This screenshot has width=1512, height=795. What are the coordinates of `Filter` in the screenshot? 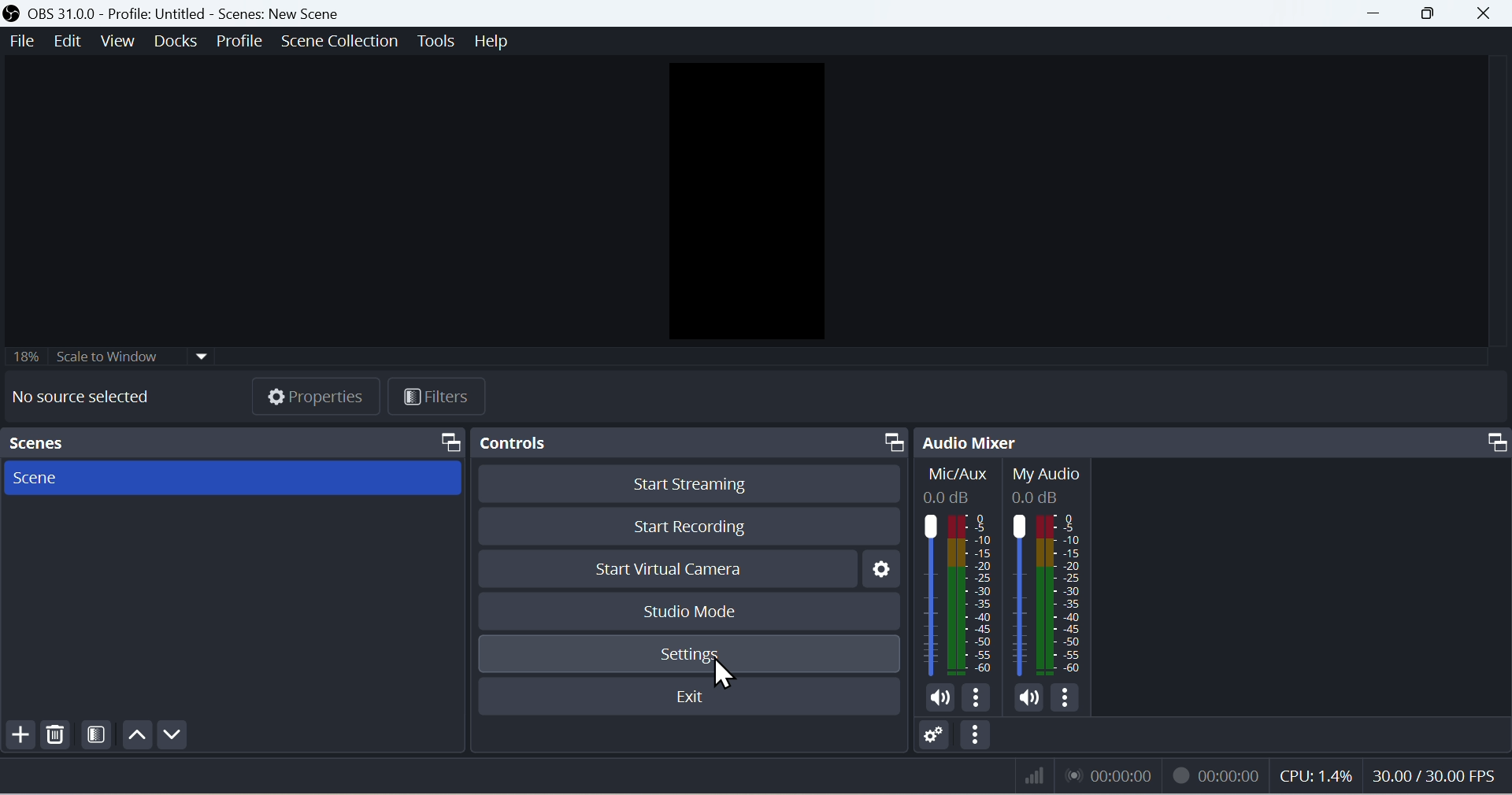 It's located at (97, 738).